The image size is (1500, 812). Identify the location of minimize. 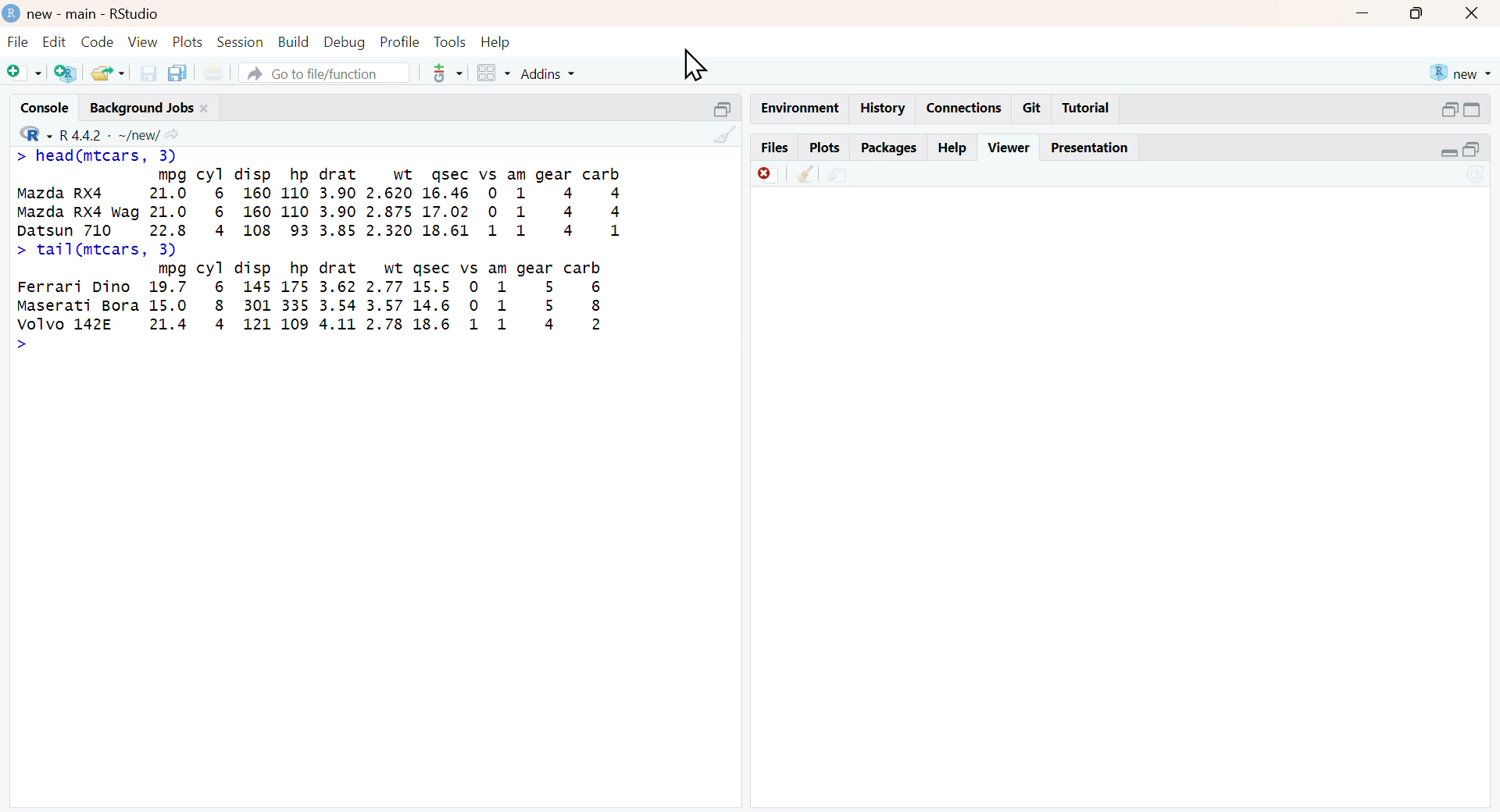
(1365, 13).